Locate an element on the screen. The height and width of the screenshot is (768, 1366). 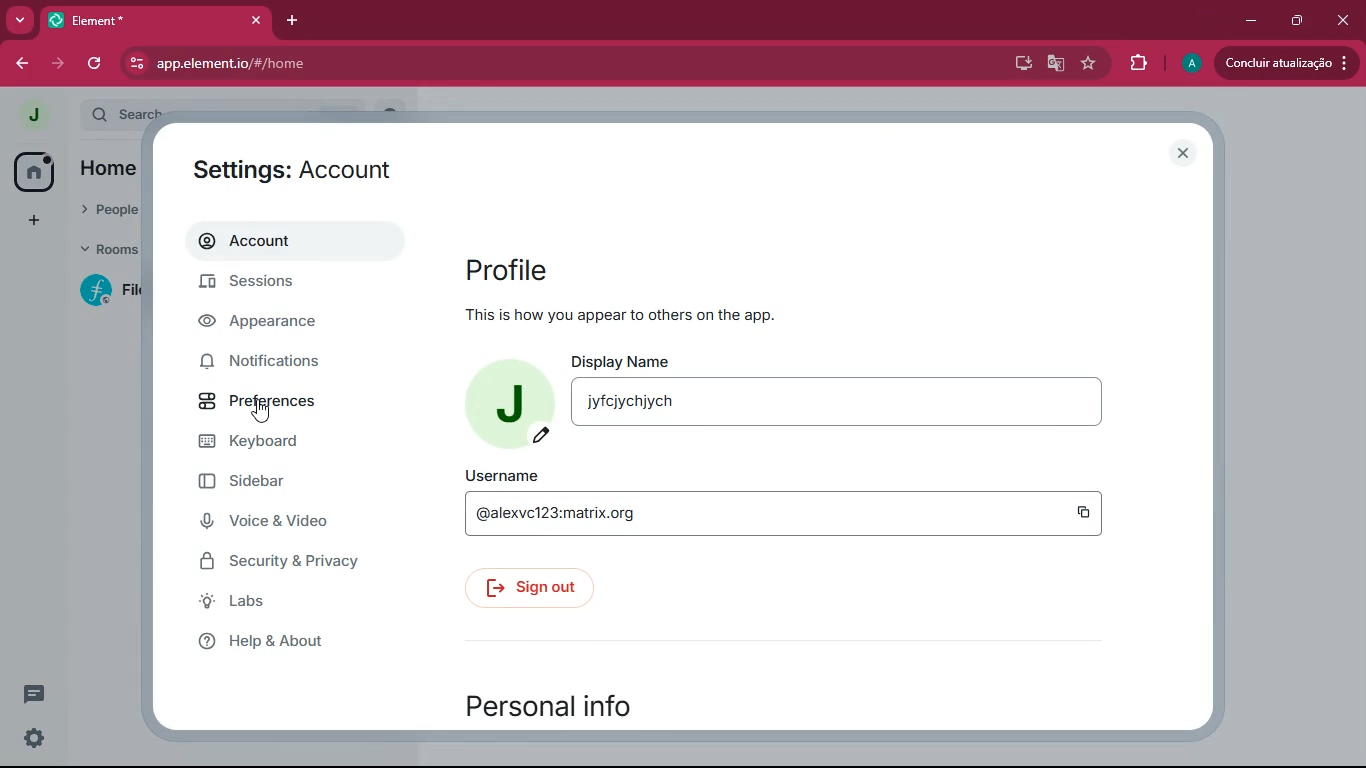
forward is located at coordinates (58, 62).